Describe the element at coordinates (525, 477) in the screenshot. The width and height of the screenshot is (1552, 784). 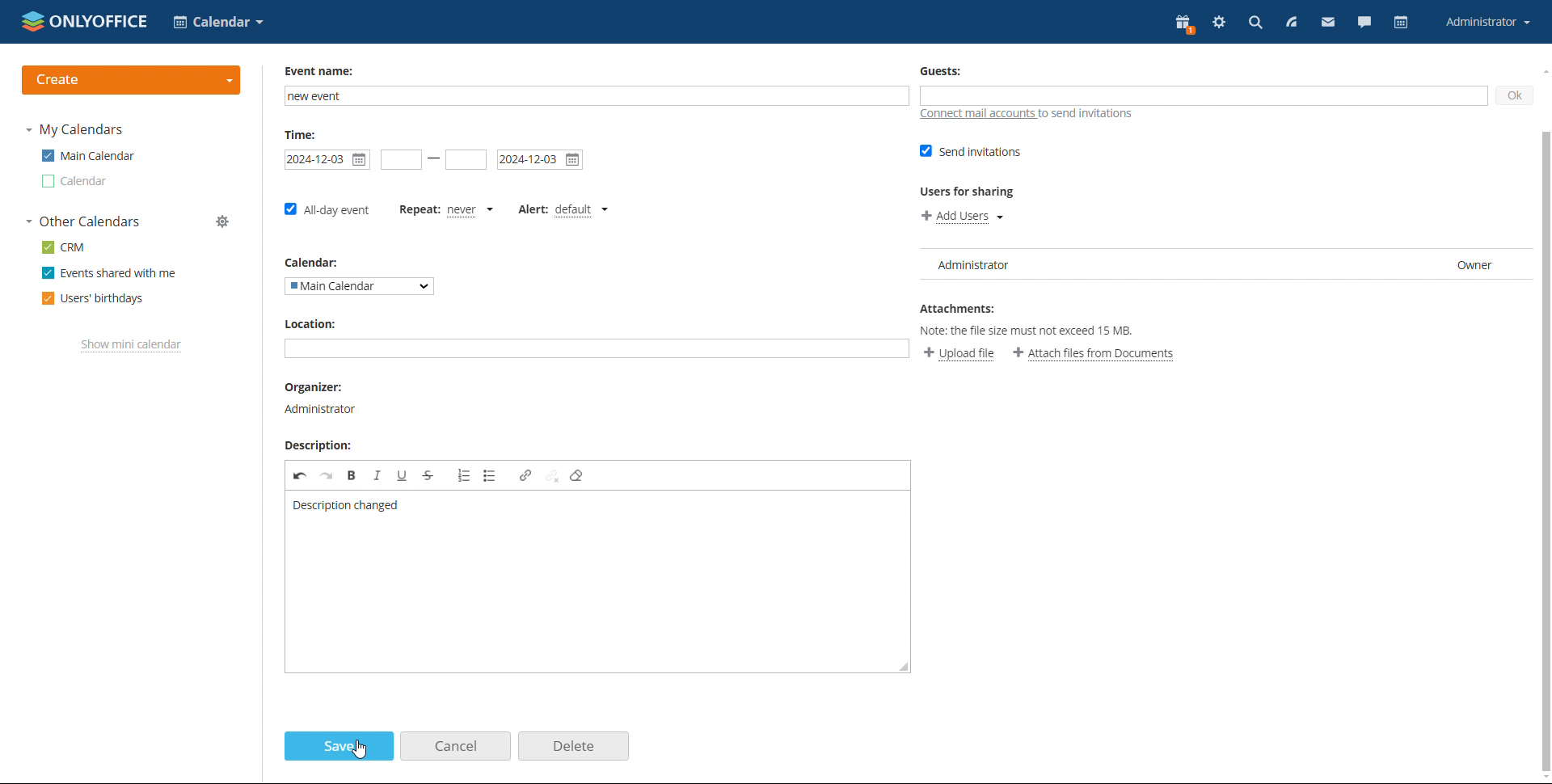
I see `link` at that location.